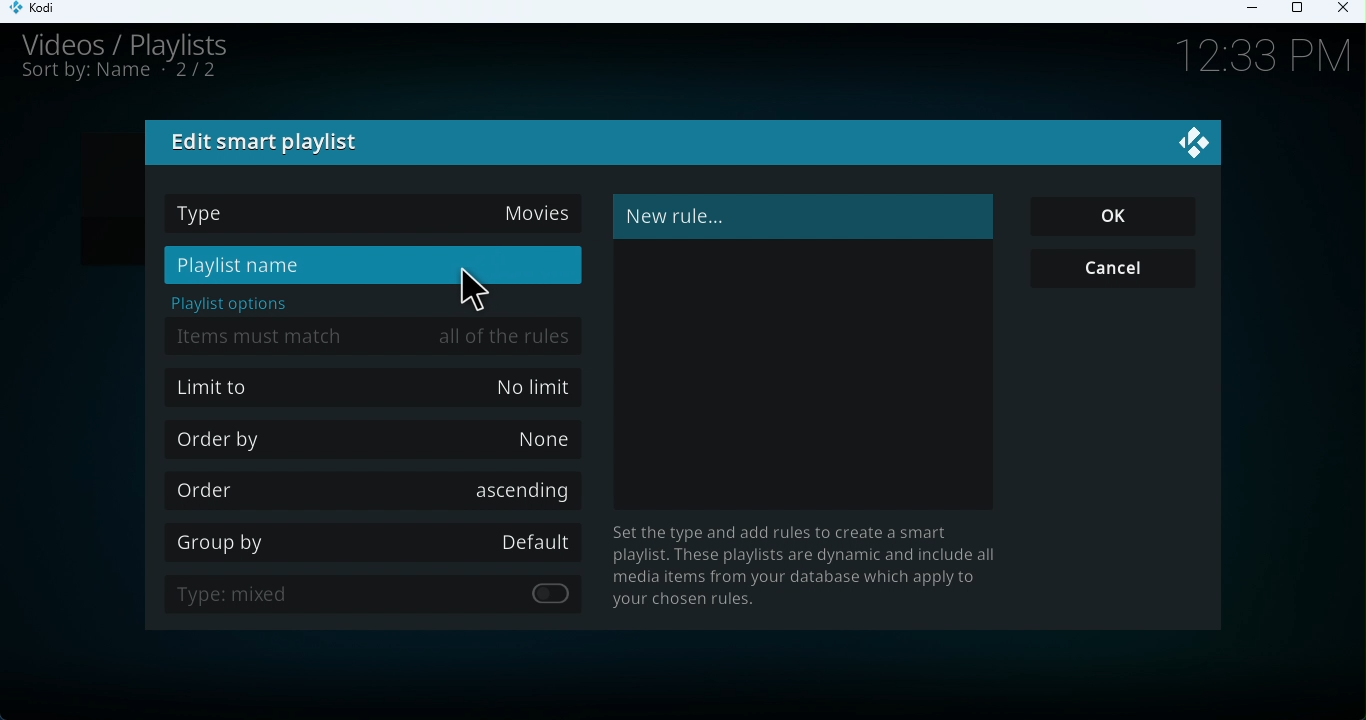 Image resolution: width=1366 pixels, height=720 pixels. I want to click on Note about how to create playlist, so click(814, 567).